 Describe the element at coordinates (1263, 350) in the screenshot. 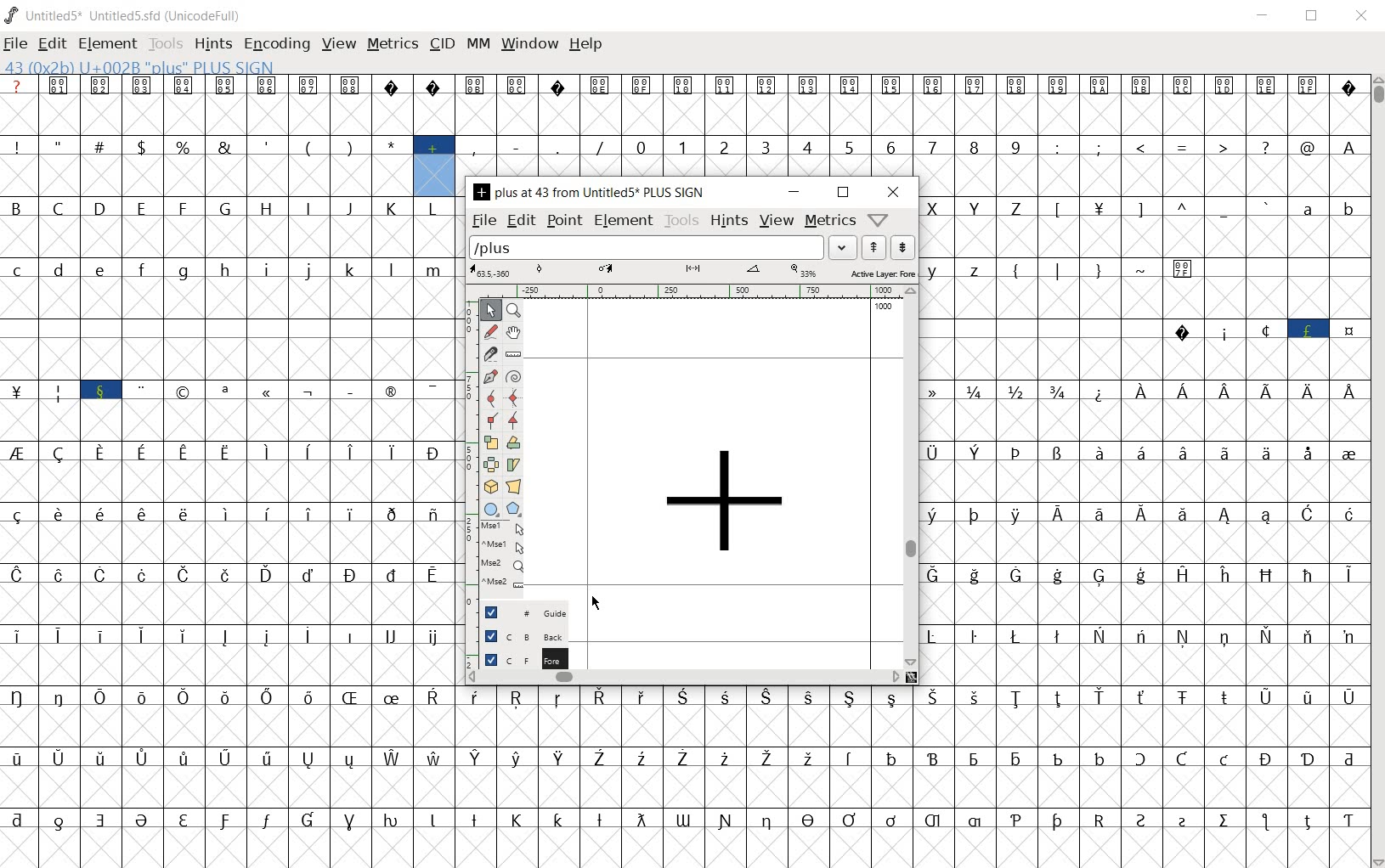

I see `special characters` at that location.